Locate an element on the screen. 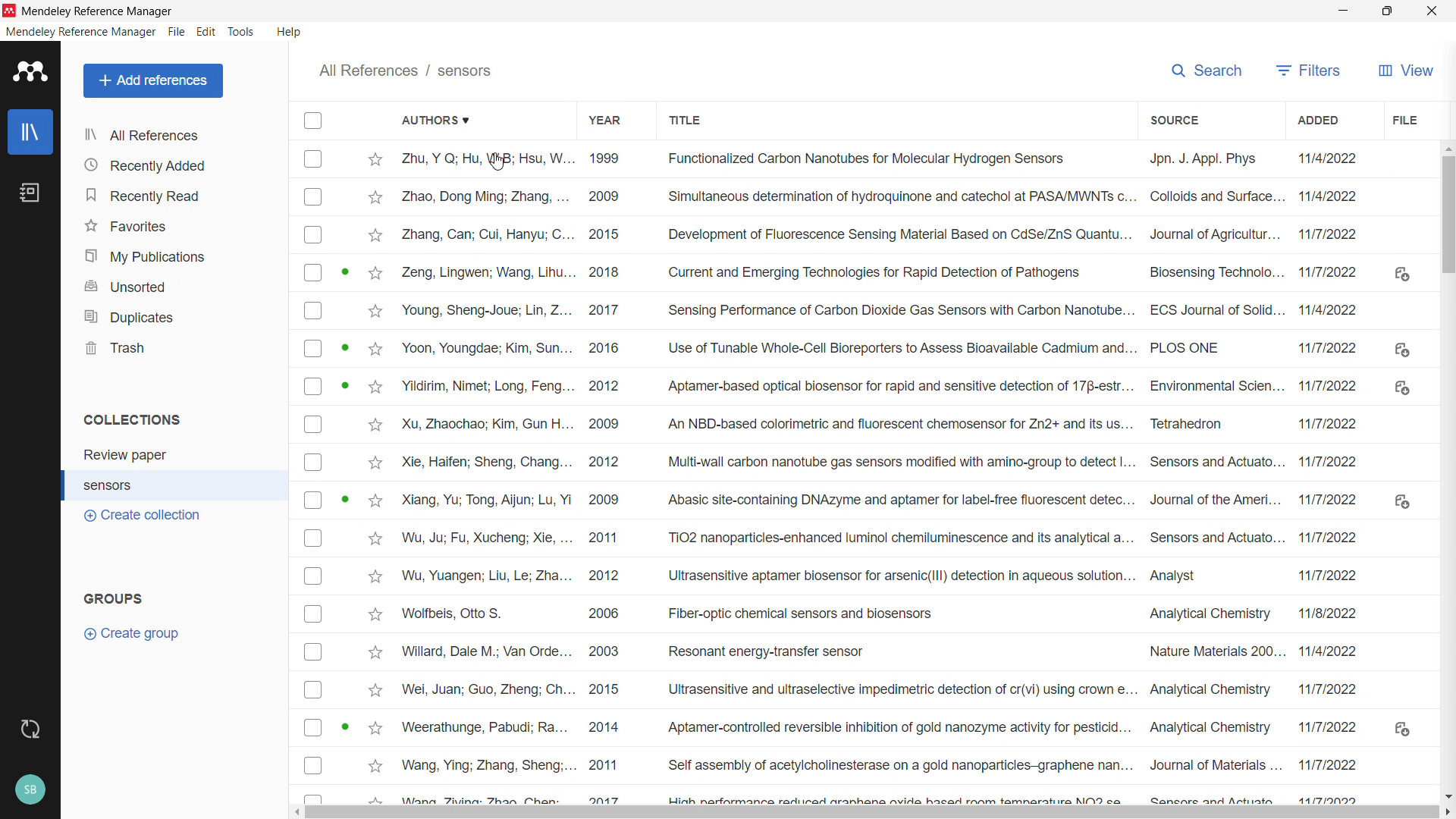 The image size is (1456, 819). Groups  is located at coordinates (117, 598).